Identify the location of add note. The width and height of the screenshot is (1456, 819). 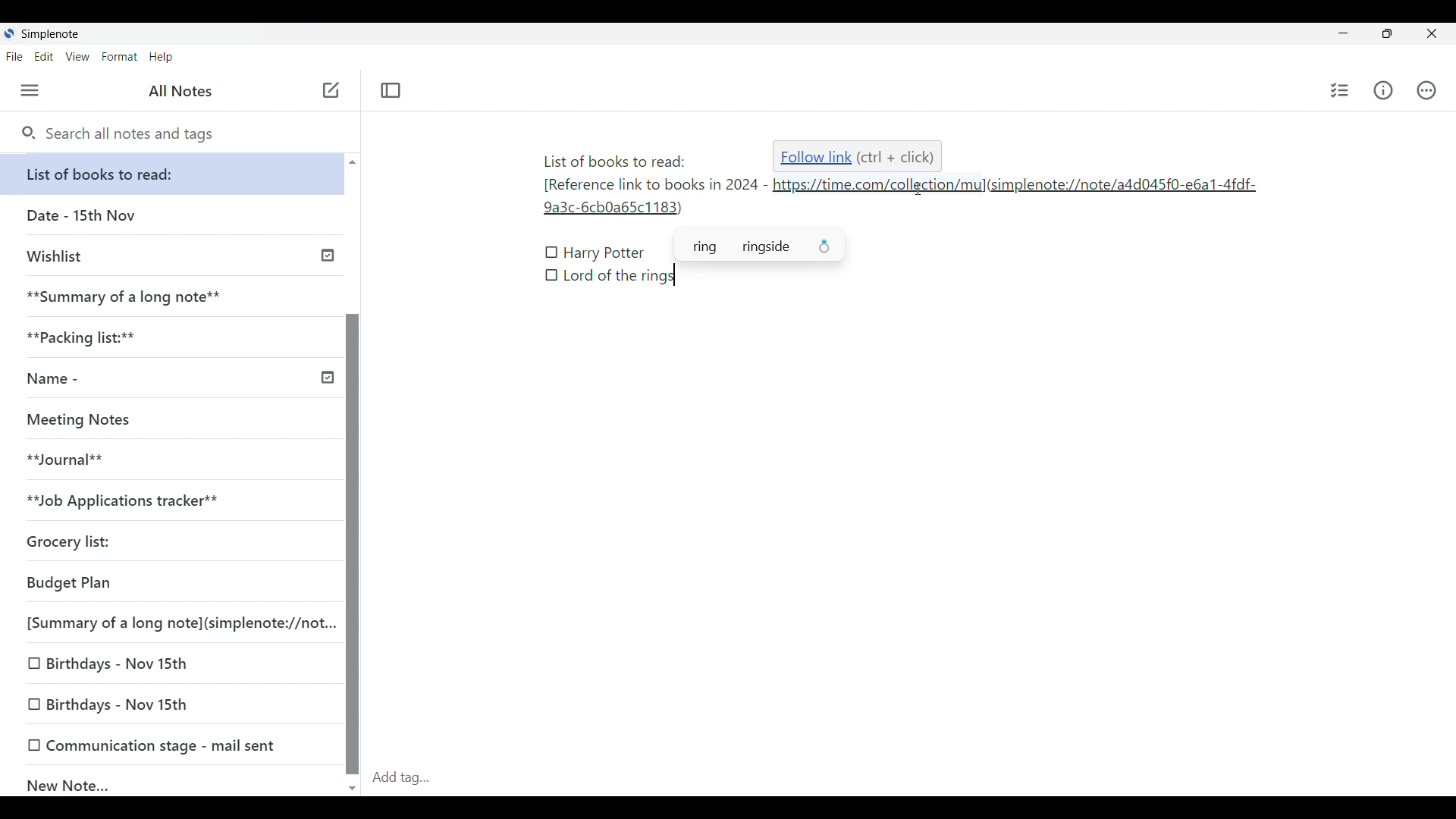
(329, 89).